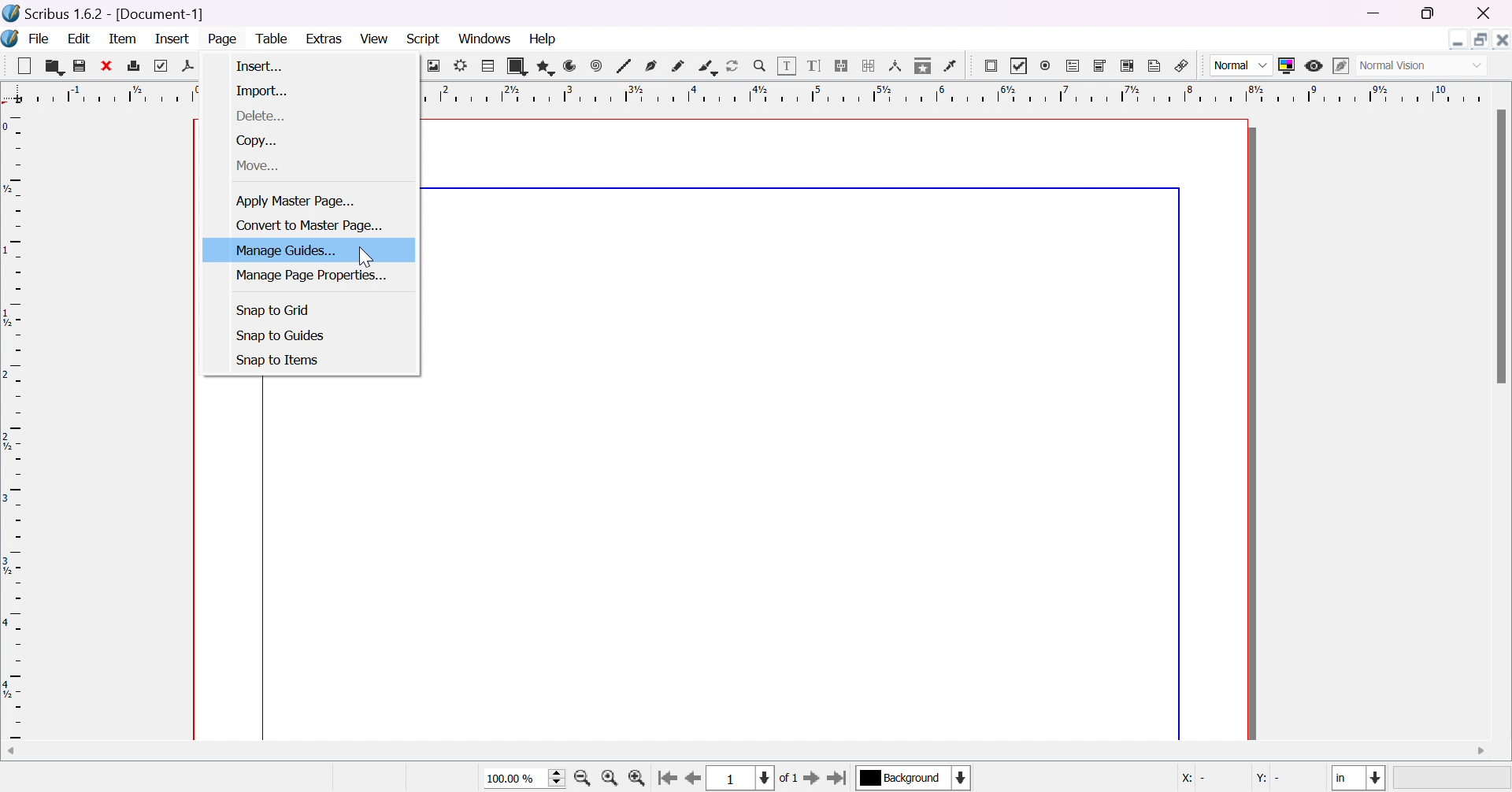 The height and width of the screenshot is (792, 1512). What do you see at coordinates (1360, 779) in the screenshot?
I see `select current unit` at bounding box center [1360, 779].